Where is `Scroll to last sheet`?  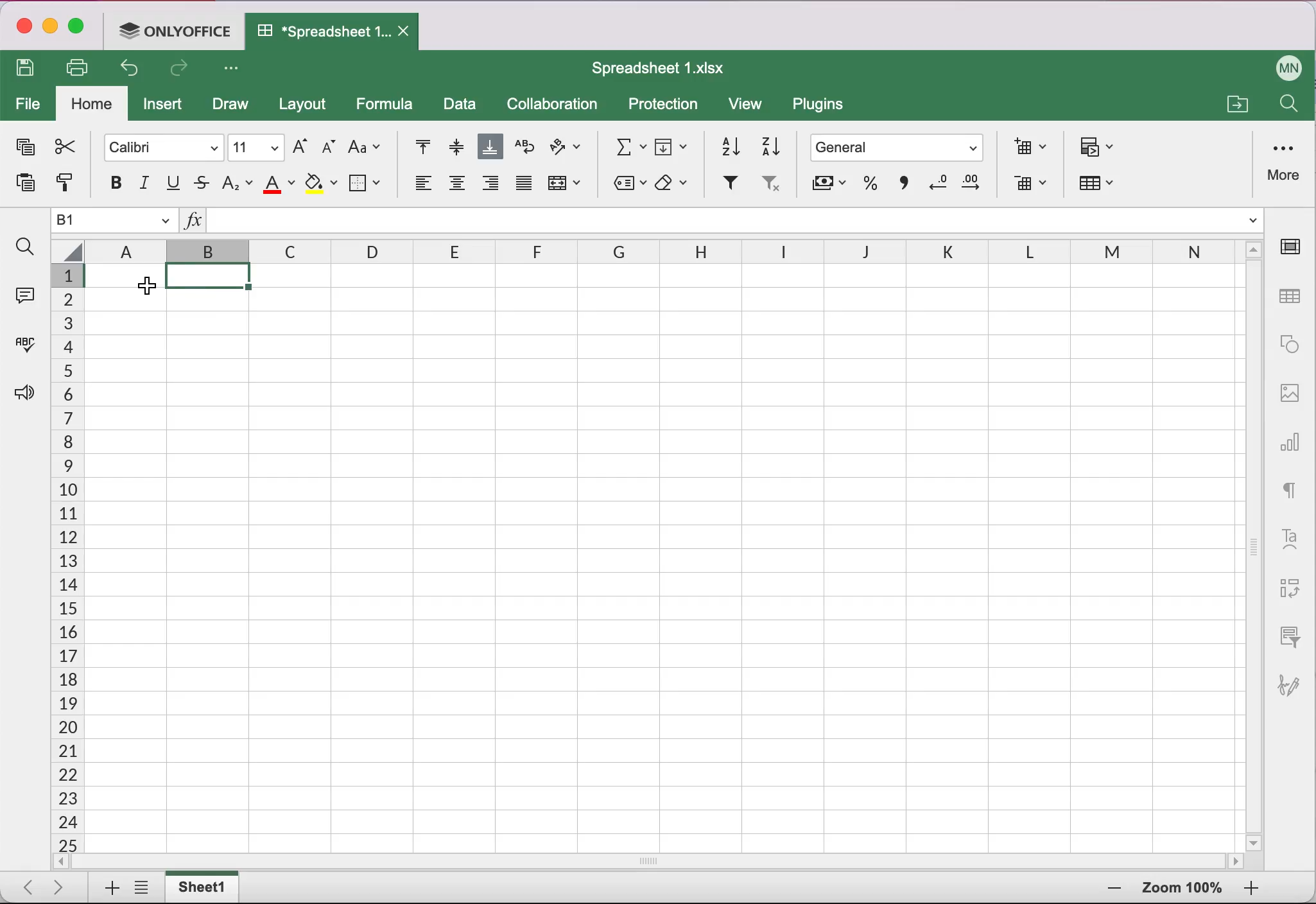
Scroll to last sheet is located at coordinates (64, 886).